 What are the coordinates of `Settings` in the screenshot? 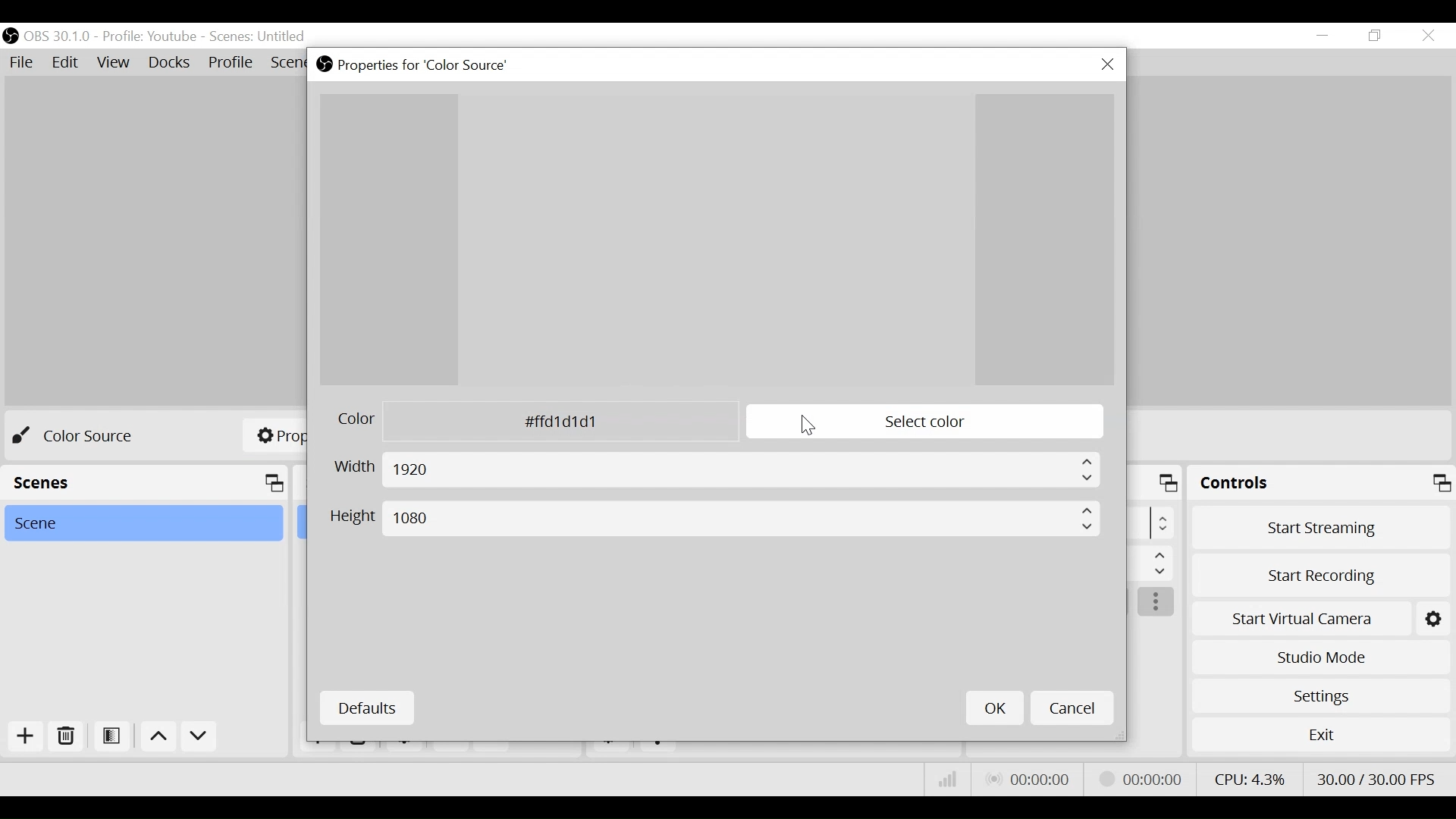 It's located at (1322, 696).